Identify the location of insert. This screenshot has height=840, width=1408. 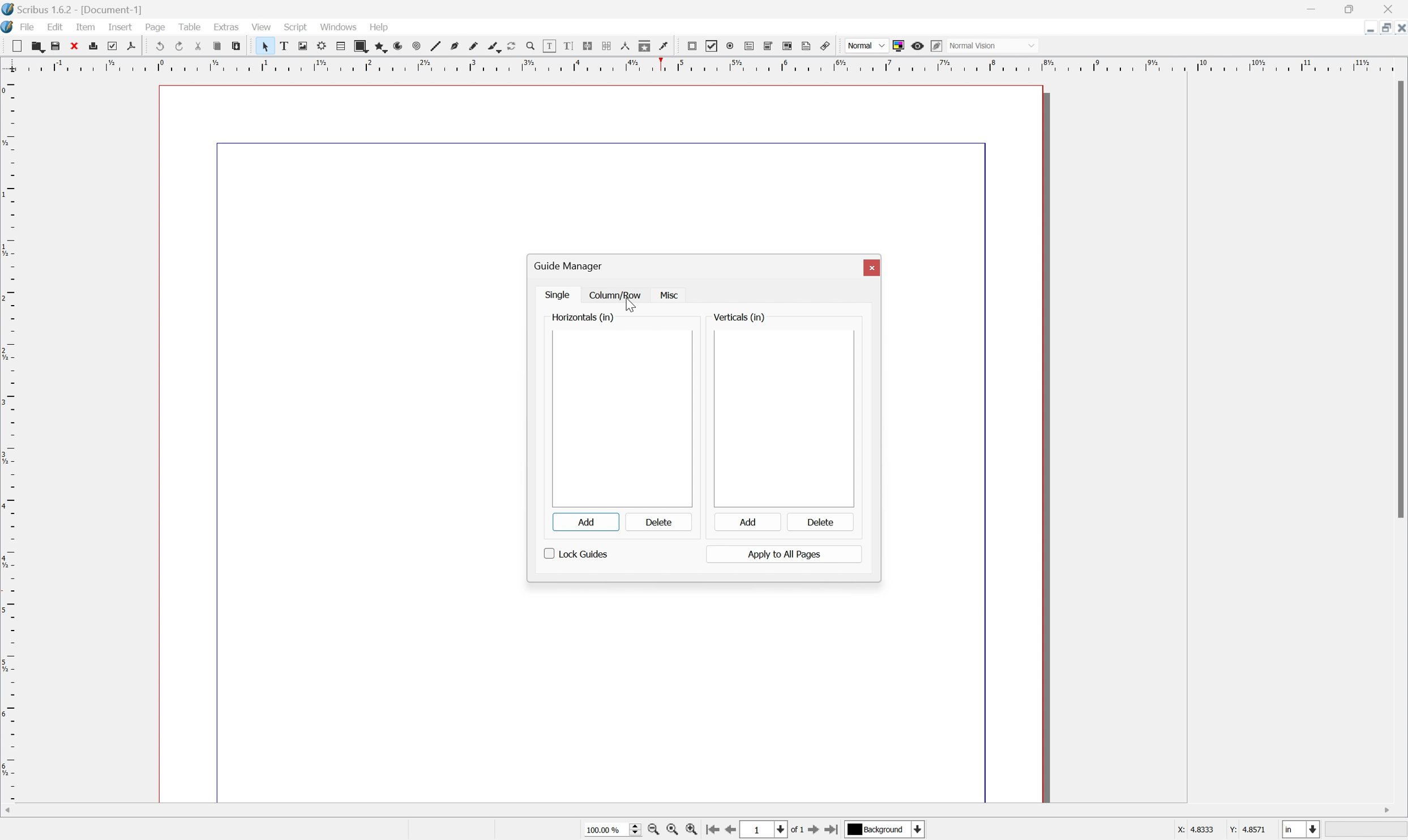
(121, 27).